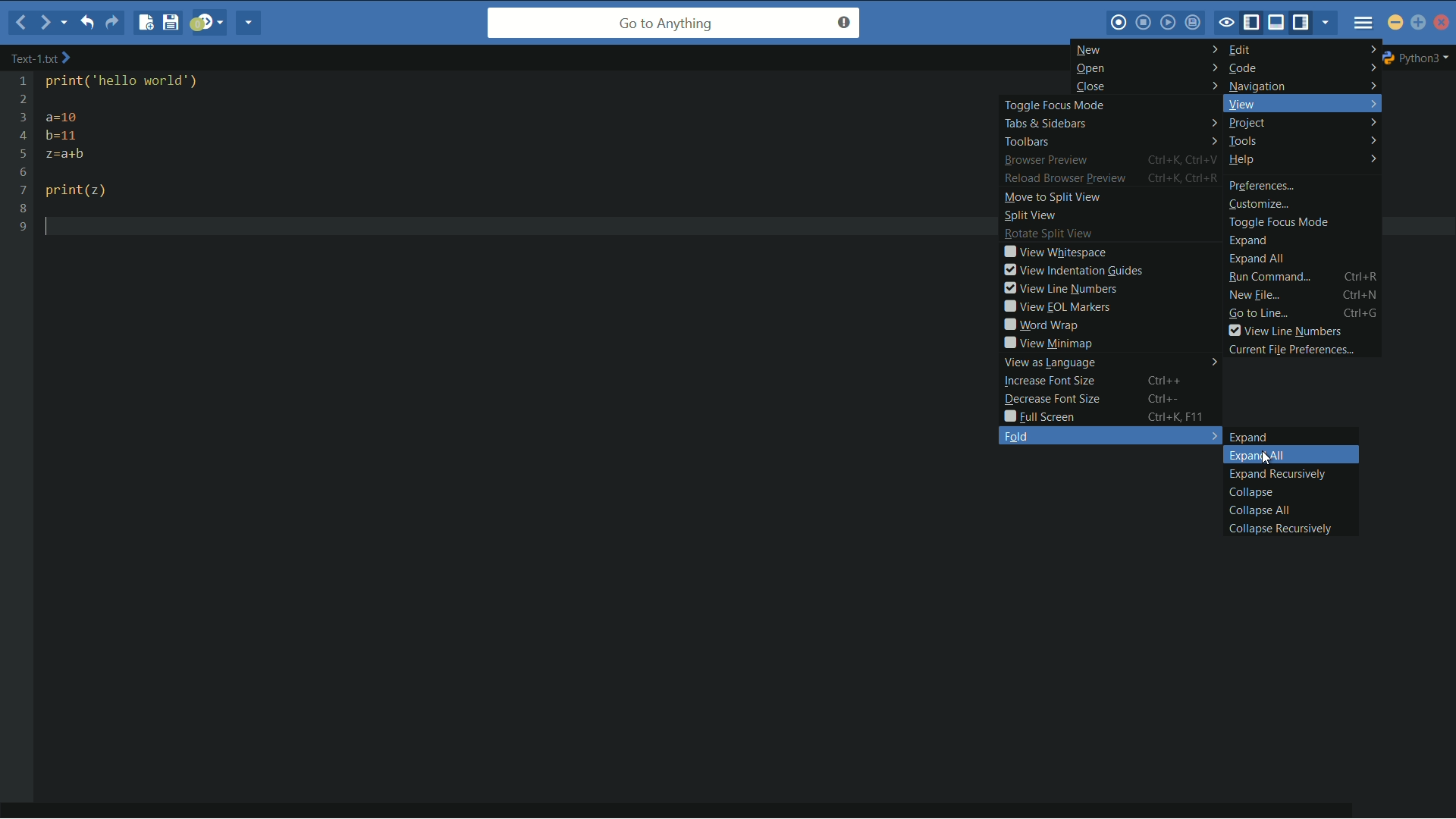 This screenshot has height=819, width=1456. Describe the element at coordinates (1055, 306) in the screenshot. I see `view eol markers` at that location.